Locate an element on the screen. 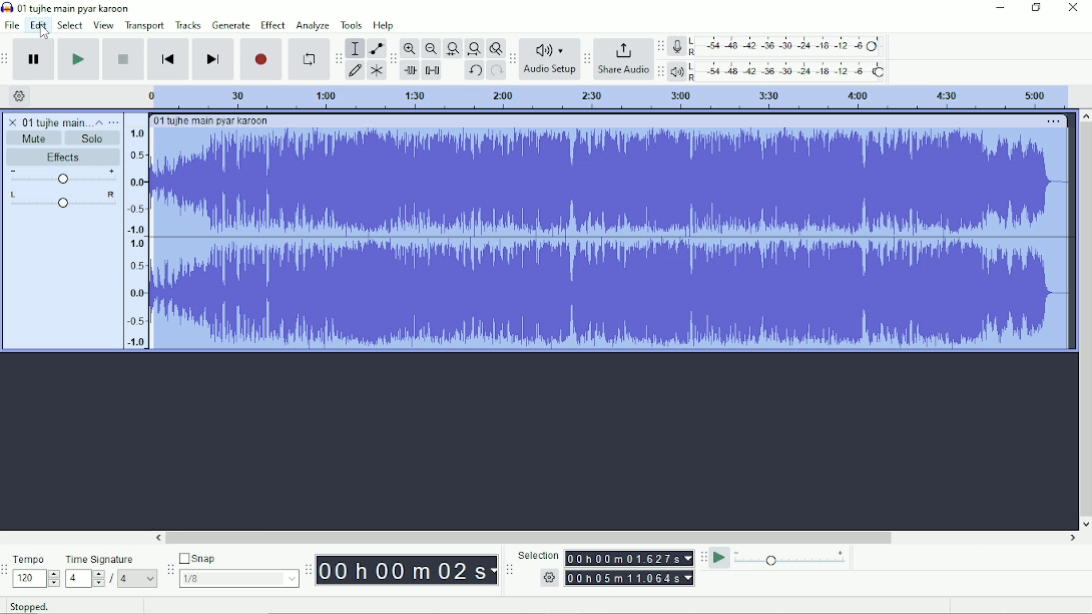  4 is located at coordinates (138, 579).